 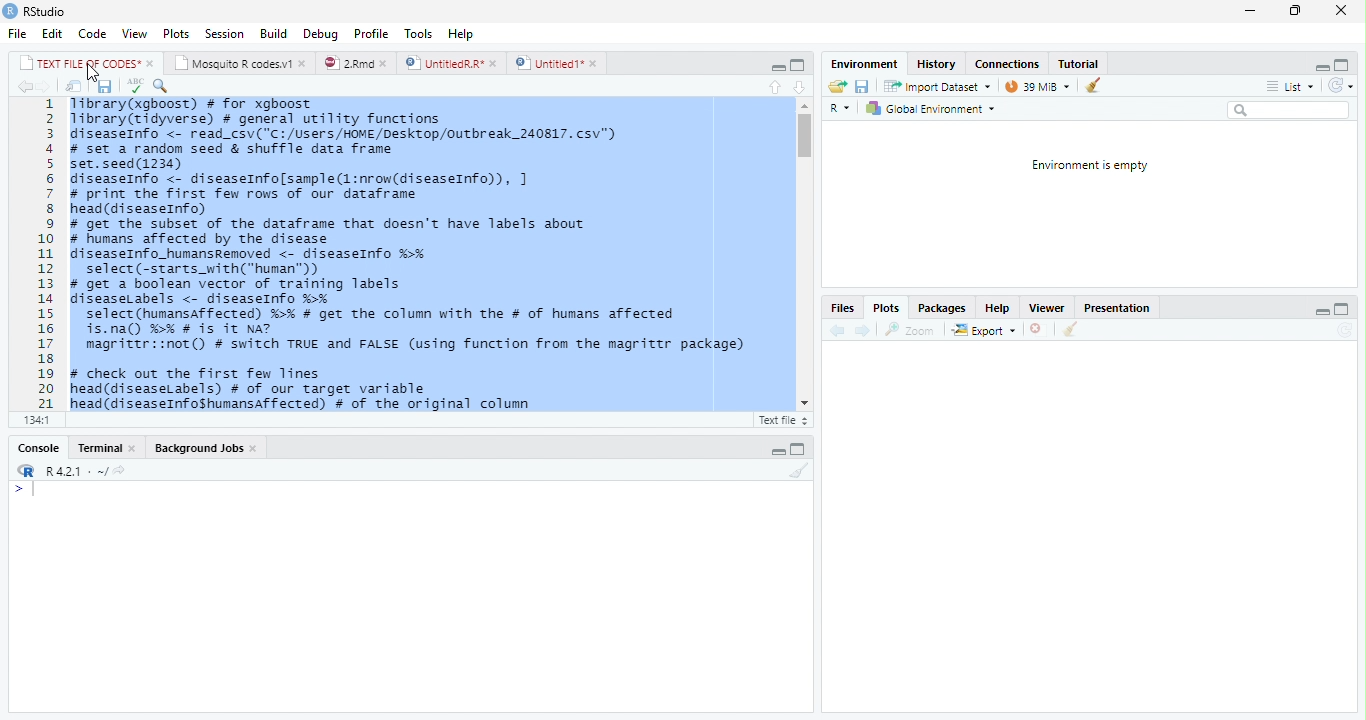 I want to click on Profile, so click(x=372, y=33).